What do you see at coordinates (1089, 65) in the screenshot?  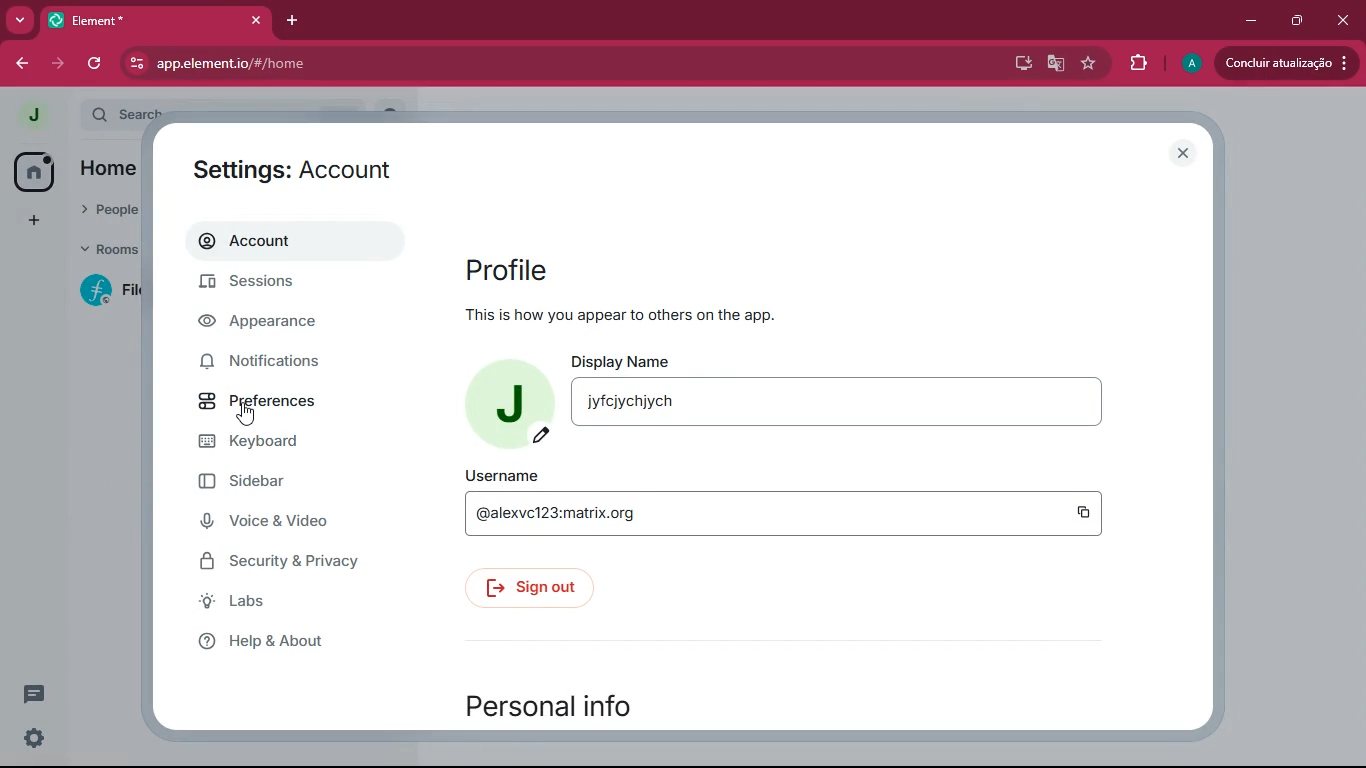 I see `bookmark` at bounding box center [1089, 65].